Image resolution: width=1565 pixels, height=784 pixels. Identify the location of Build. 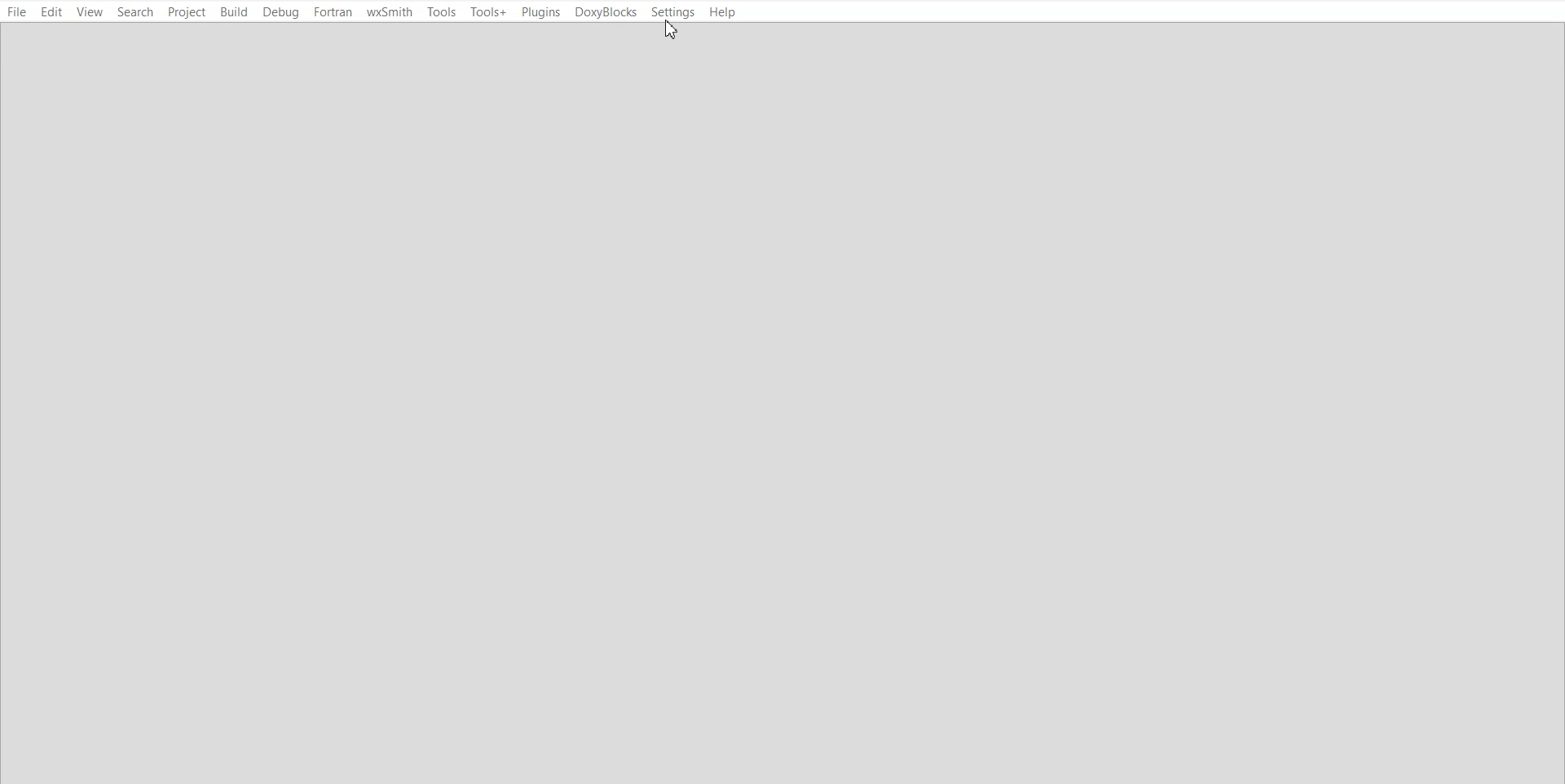
(232, 12).